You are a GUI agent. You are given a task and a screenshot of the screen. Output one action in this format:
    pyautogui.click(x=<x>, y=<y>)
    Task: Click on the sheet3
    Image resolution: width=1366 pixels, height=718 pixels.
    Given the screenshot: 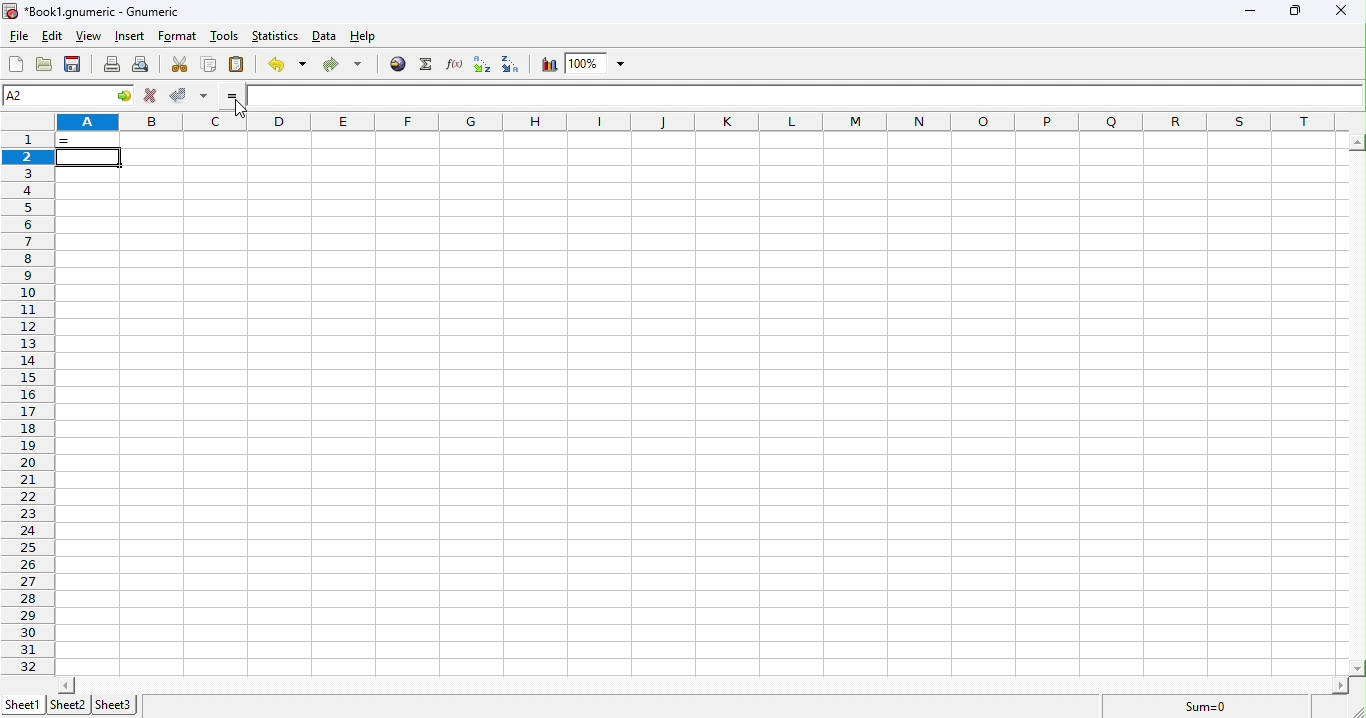 What is the action you would take?
    pyautogui.click(x=115, y=706)
    